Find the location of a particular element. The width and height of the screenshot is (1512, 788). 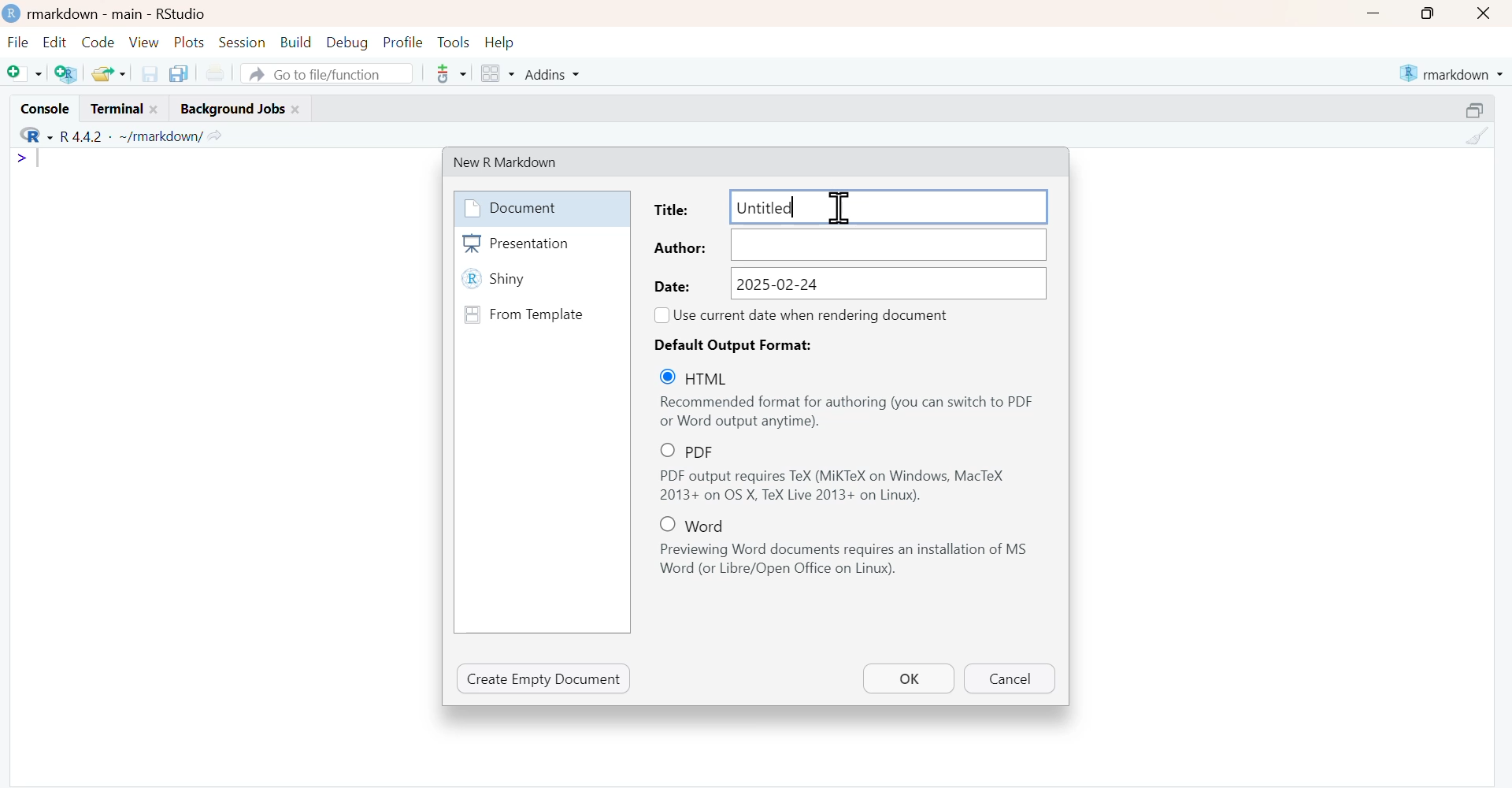

Logo is located at coordinates (13, 14).